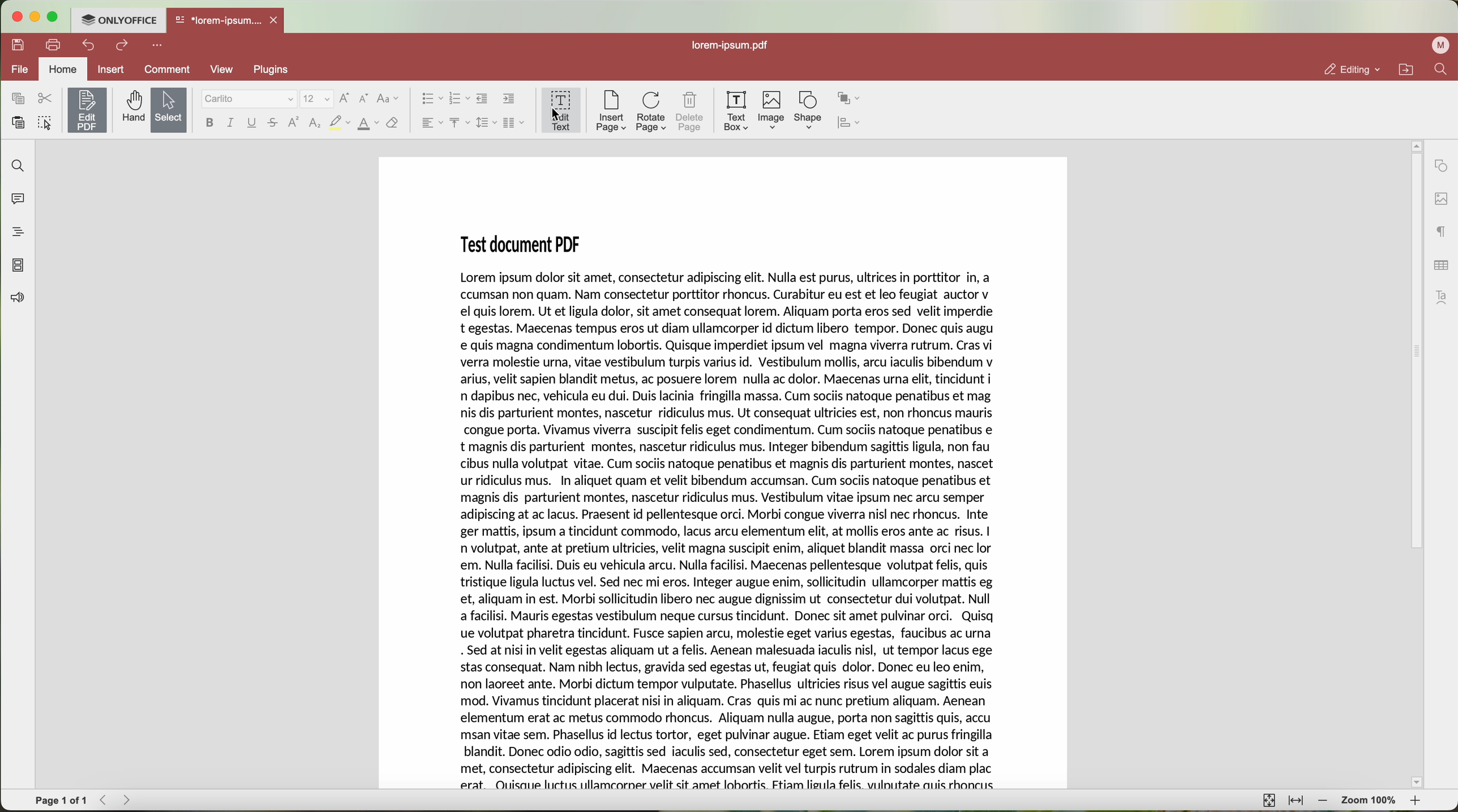  I want to click on paragraph settings, so click(1442, 231).